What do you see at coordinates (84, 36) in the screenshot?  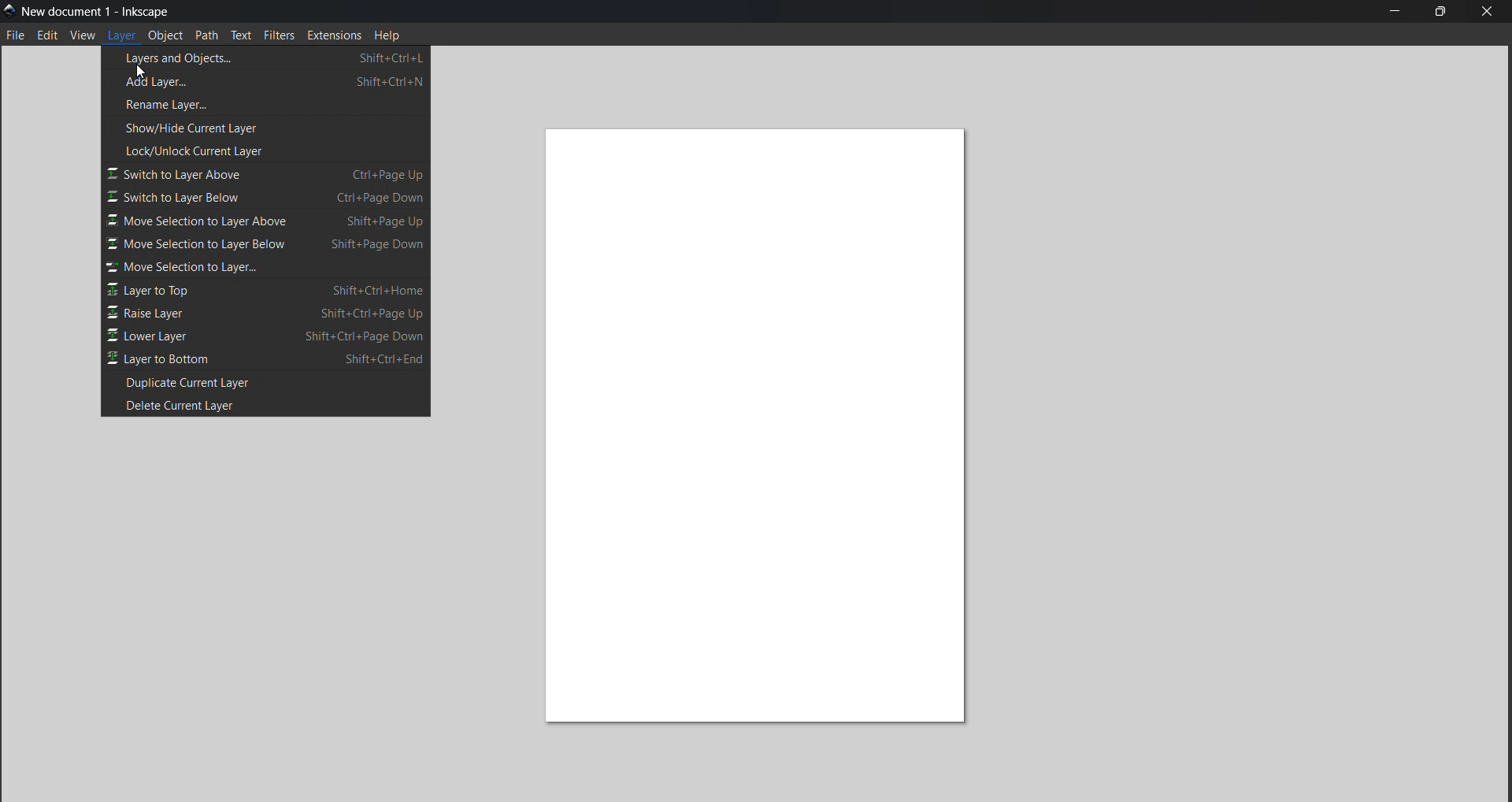 I see `view` at bounding box center [84, 36].